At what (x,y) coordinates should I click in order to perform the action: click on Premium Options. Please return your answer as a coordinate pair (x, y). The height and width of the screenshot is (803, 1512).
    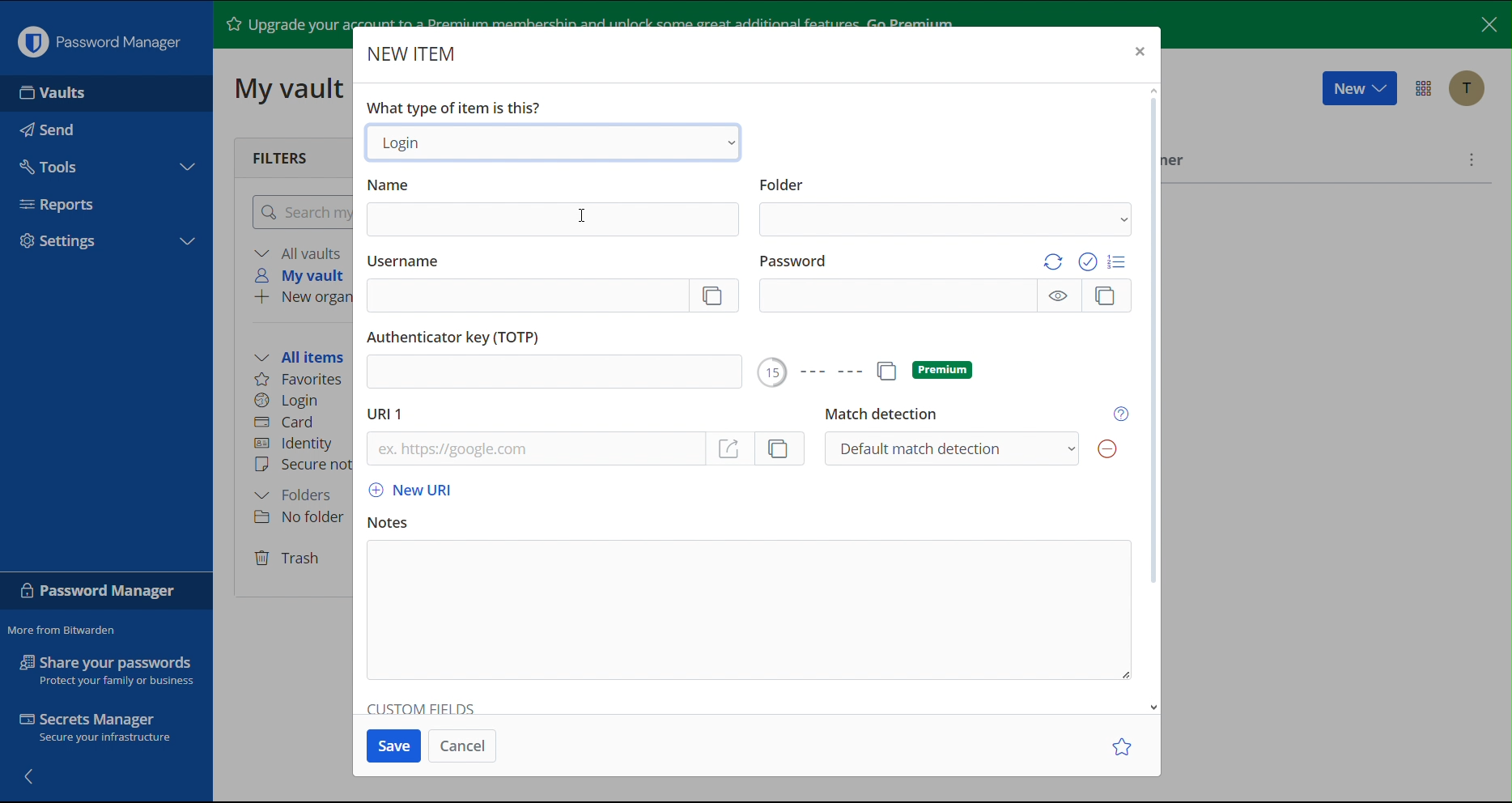
    Looking at the image, I should click on (880, 372).